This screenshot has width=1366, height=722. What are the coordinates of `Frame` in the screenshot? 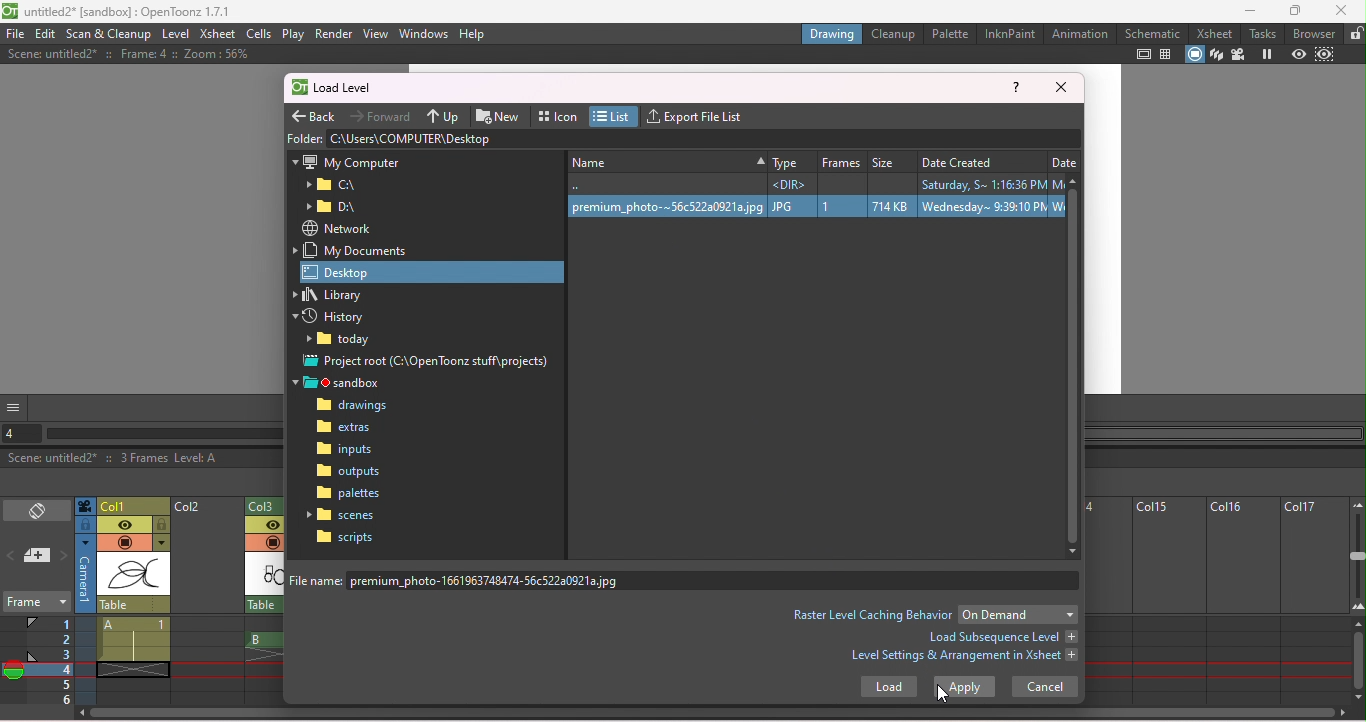 It's located at (841, 159).